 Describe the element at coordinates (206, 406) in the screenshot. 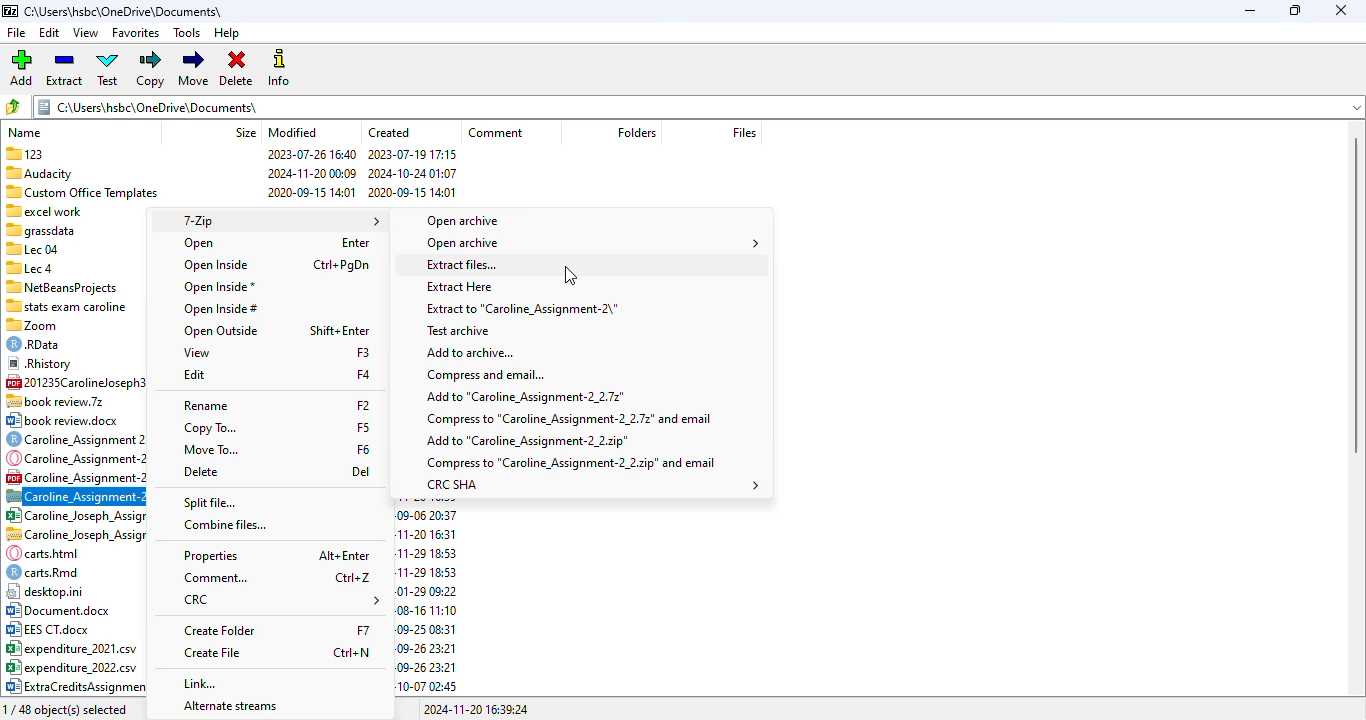

I see `rename` at that location.